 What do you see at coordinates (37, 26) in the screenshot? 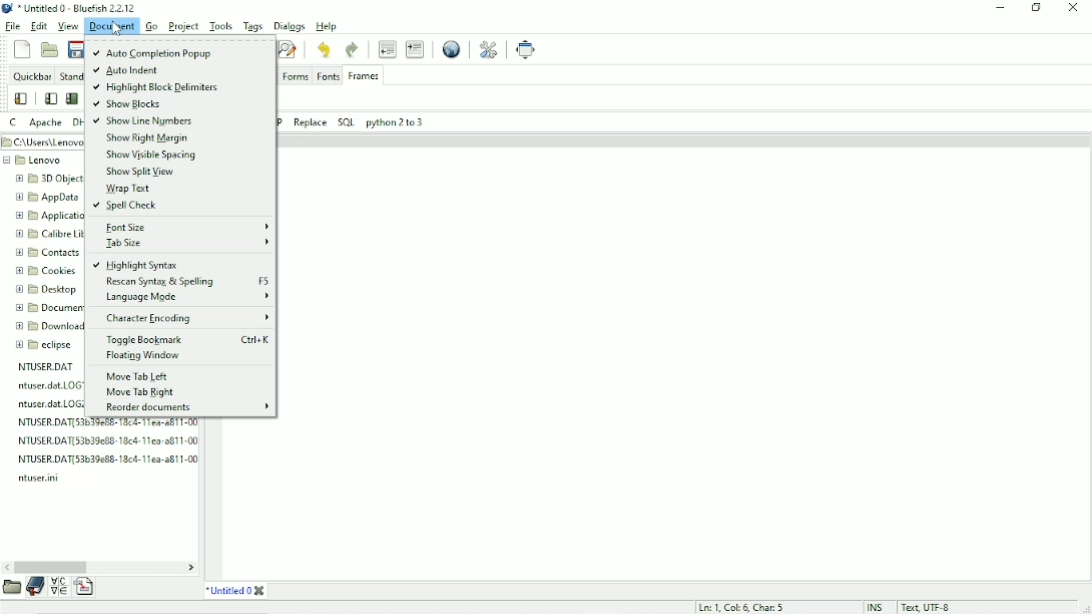
I see `Edit` at bounding box center [37, 26].